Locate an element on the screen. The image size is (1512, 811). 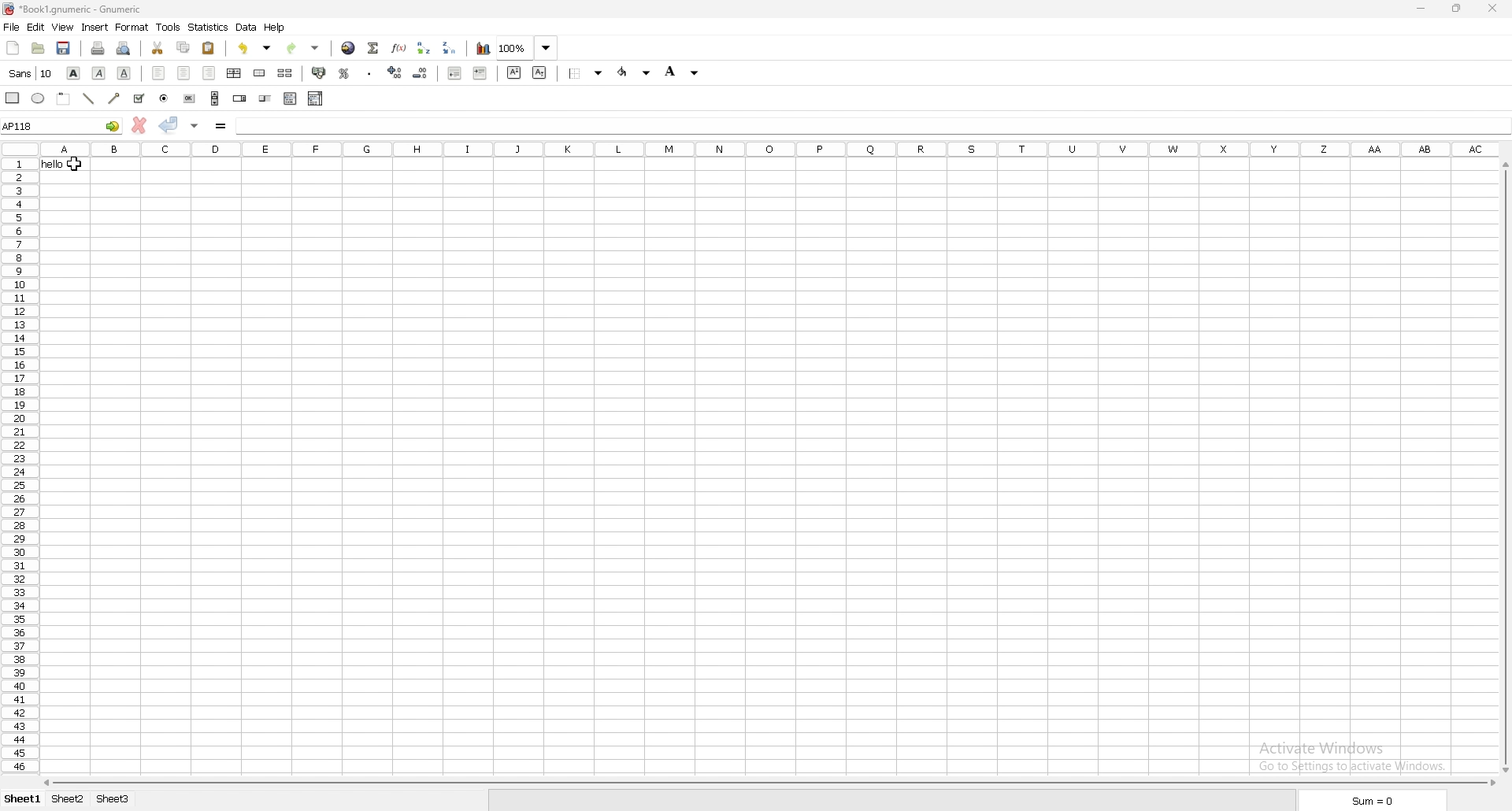
merge cells is located at coordinates (260, 73).